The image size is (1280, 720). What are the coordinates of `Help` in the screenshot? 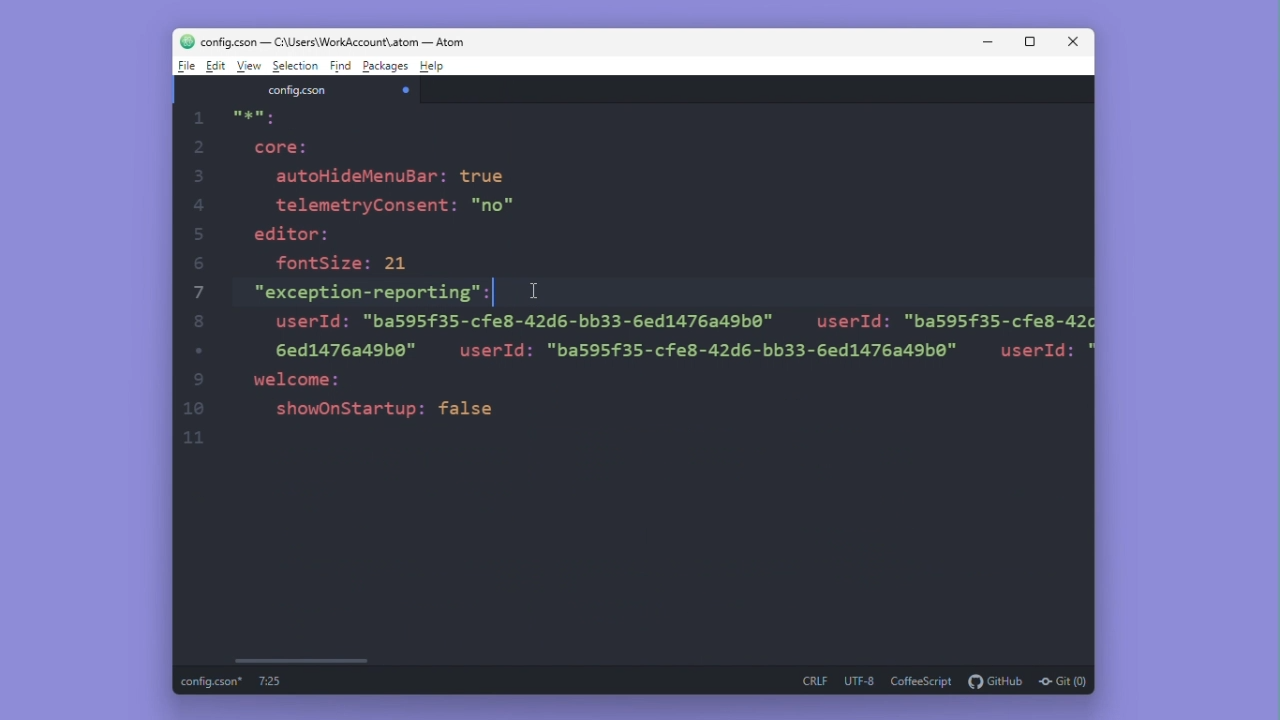 It's located at (432, 65).